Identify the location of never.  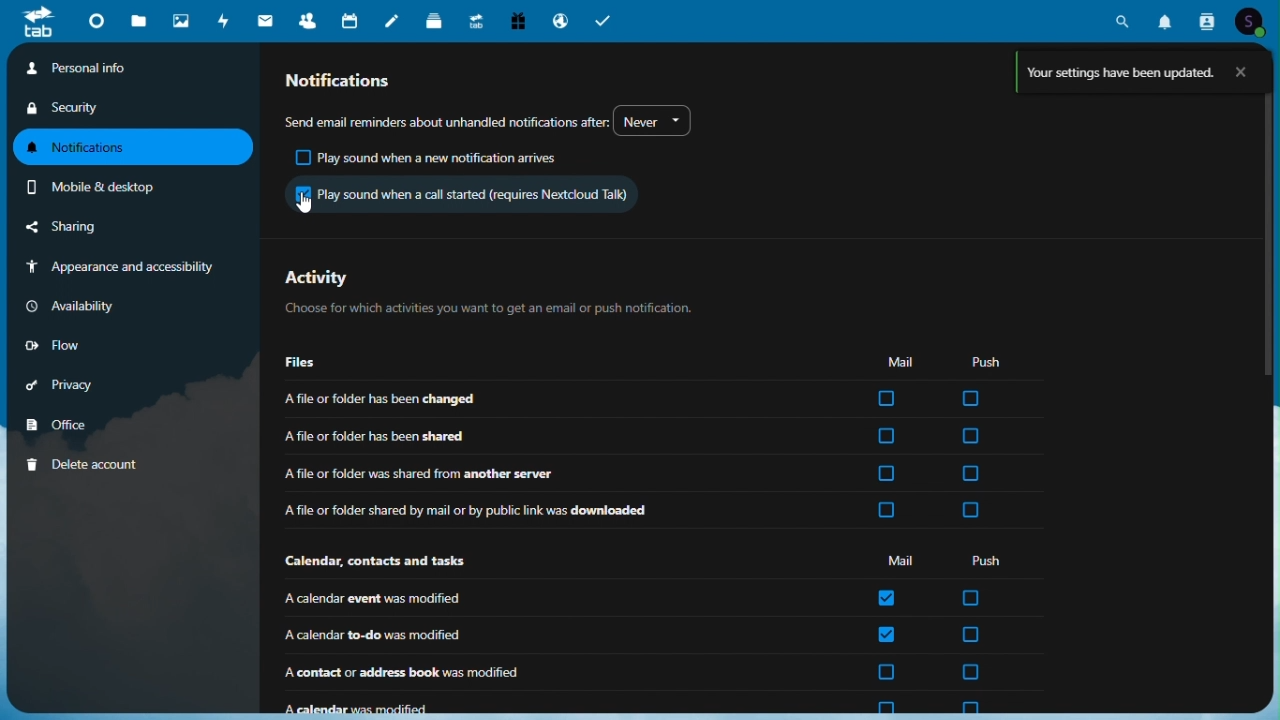
(652, 119).